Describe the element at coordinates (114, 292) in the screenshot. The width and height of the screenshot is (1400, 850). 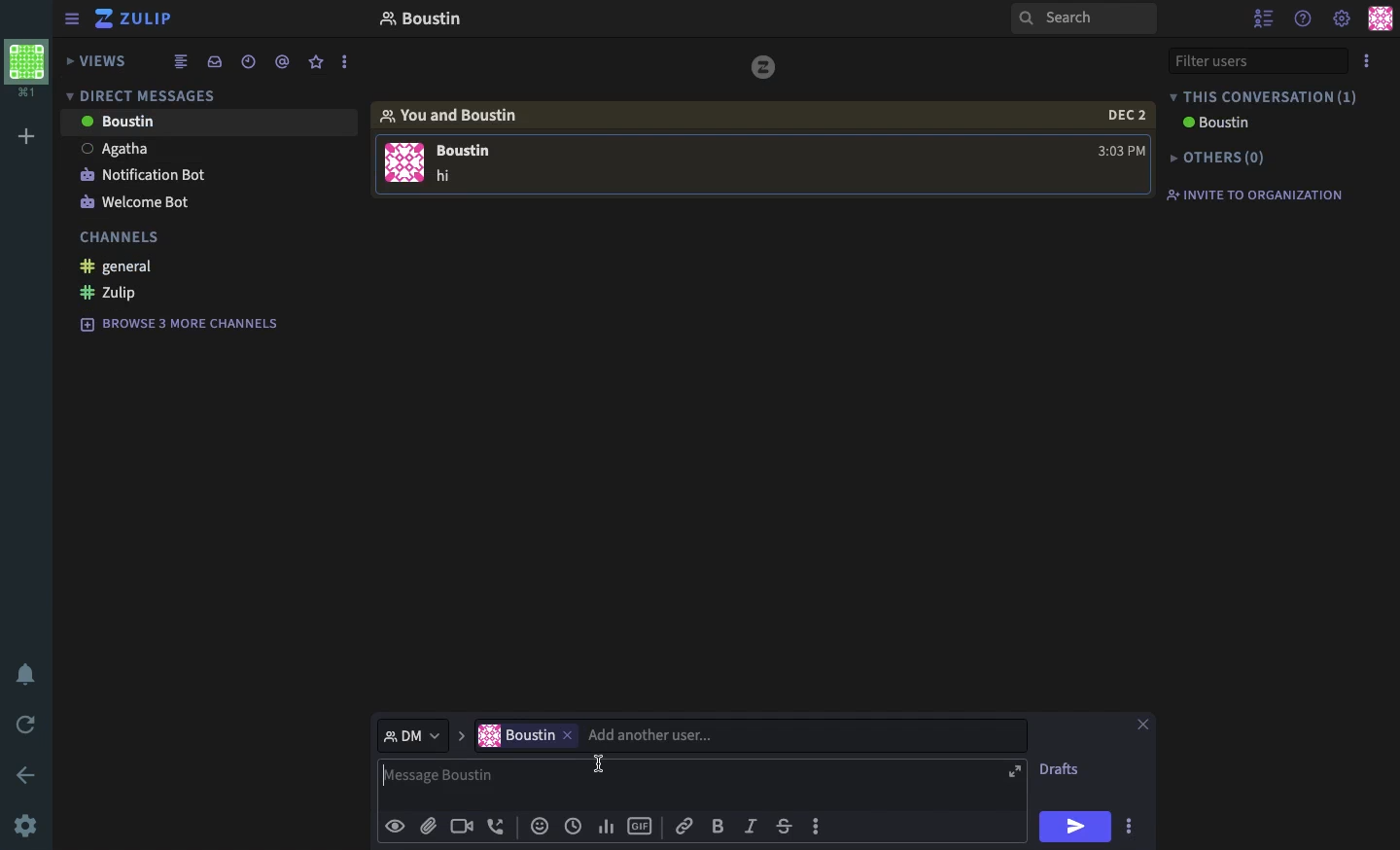
I see `zulip` at that location.